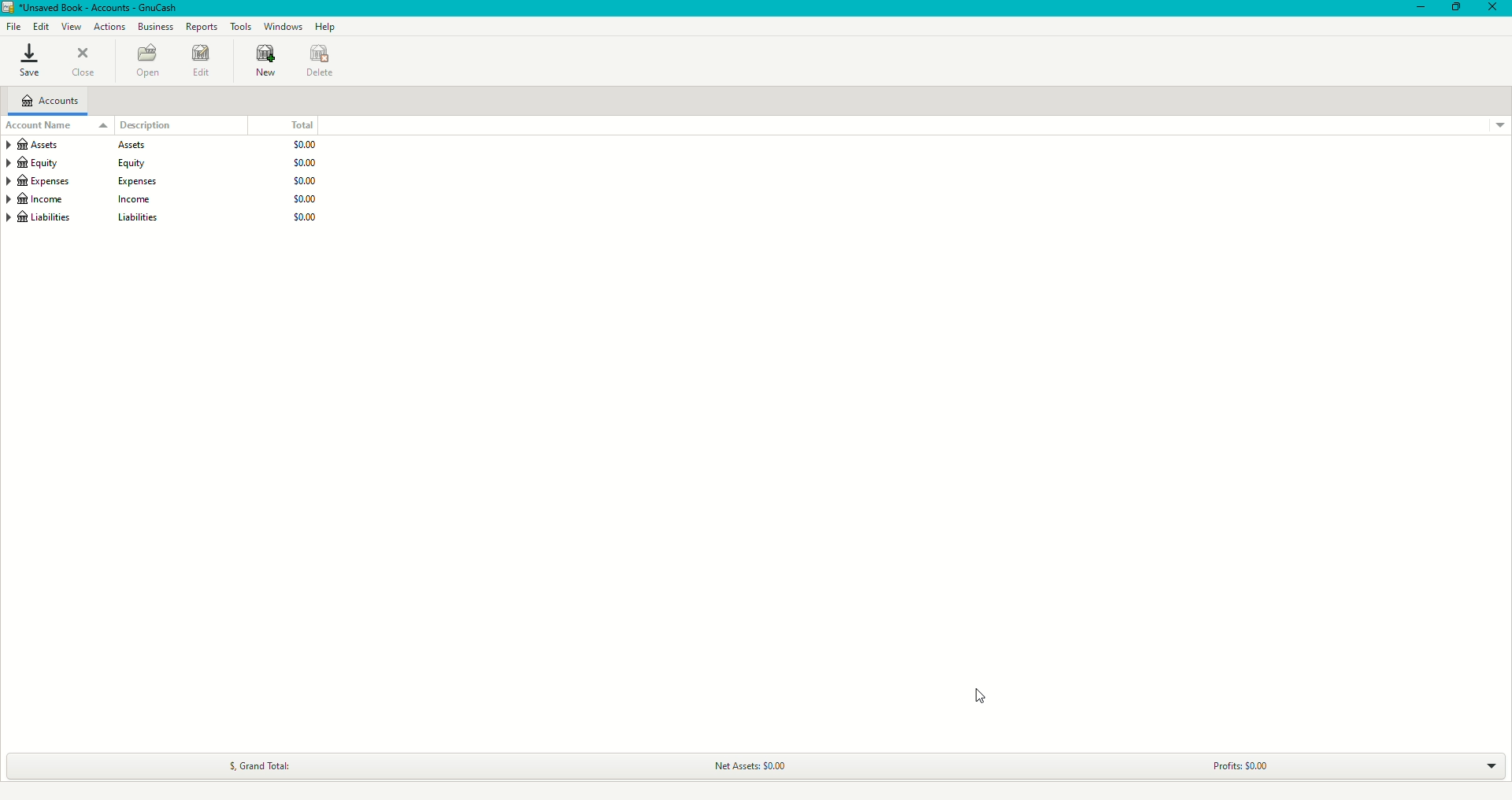  What do you see at coordinates (154, 28) in the screenshot?
I see `Business` at bounding box center [154, 28].